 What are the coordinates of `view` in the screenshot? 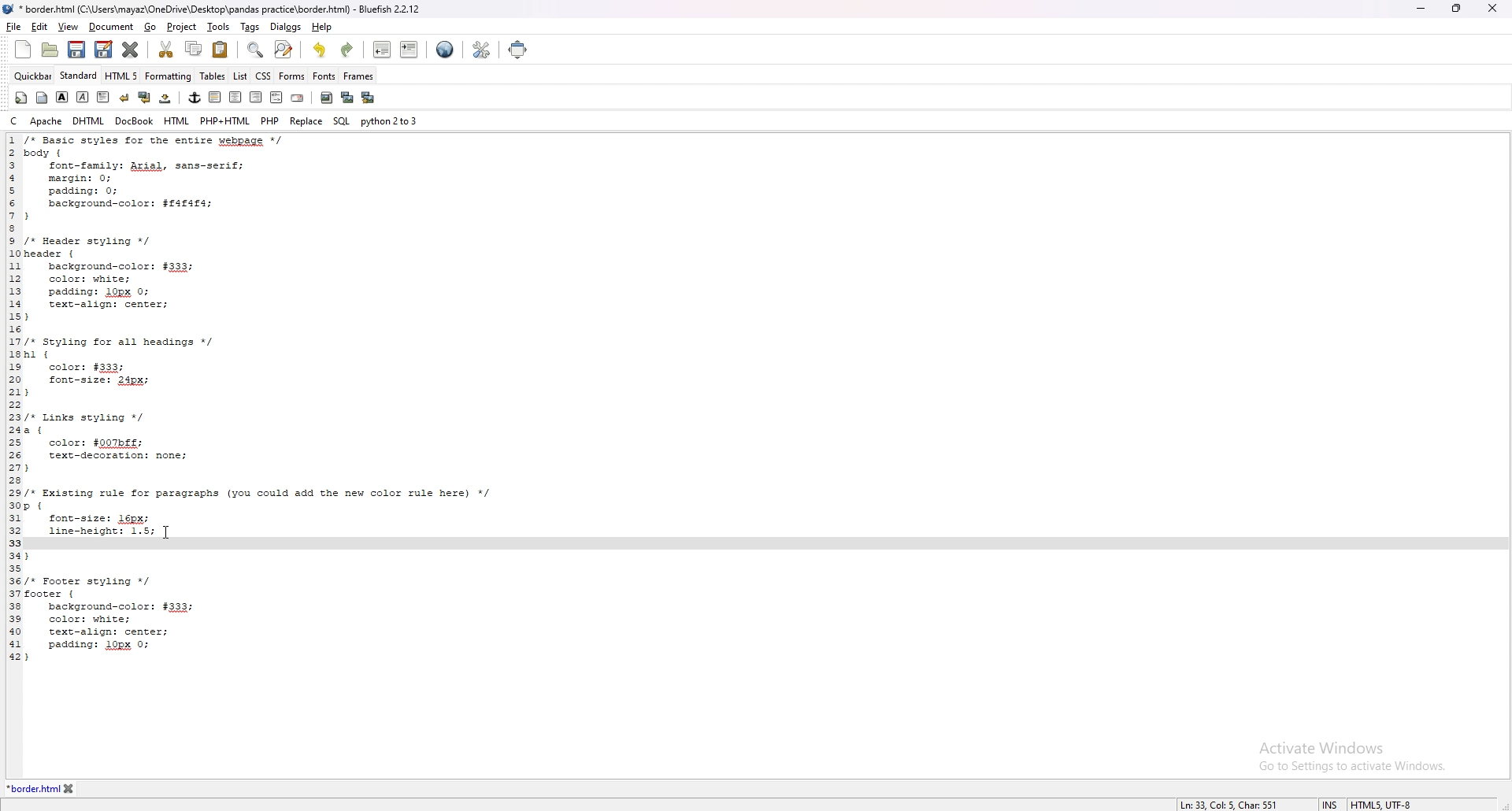 It's located at (68, 28).